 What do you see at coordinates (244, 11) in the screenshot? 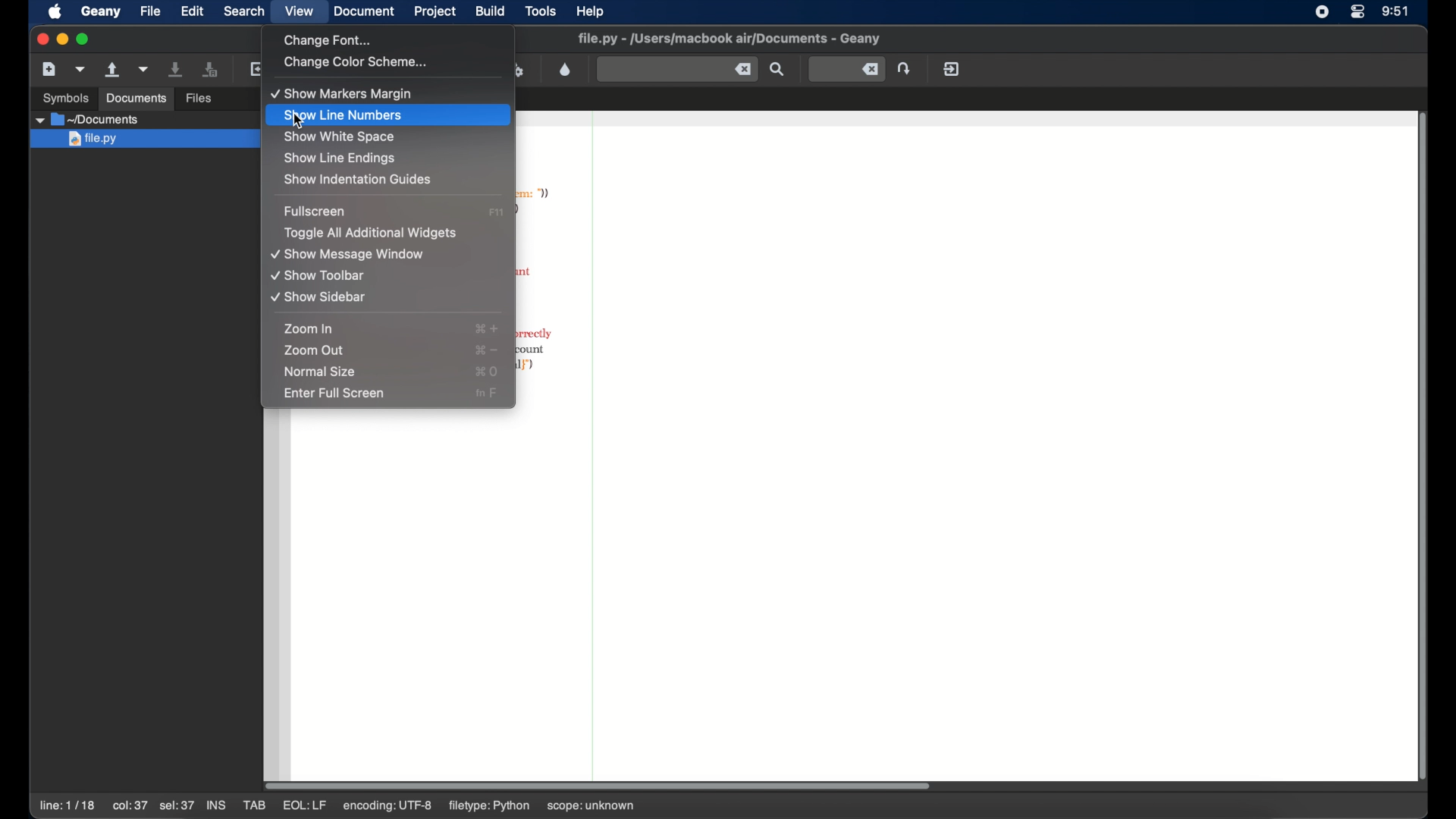
I see `search` at bounding box center [244, 11].